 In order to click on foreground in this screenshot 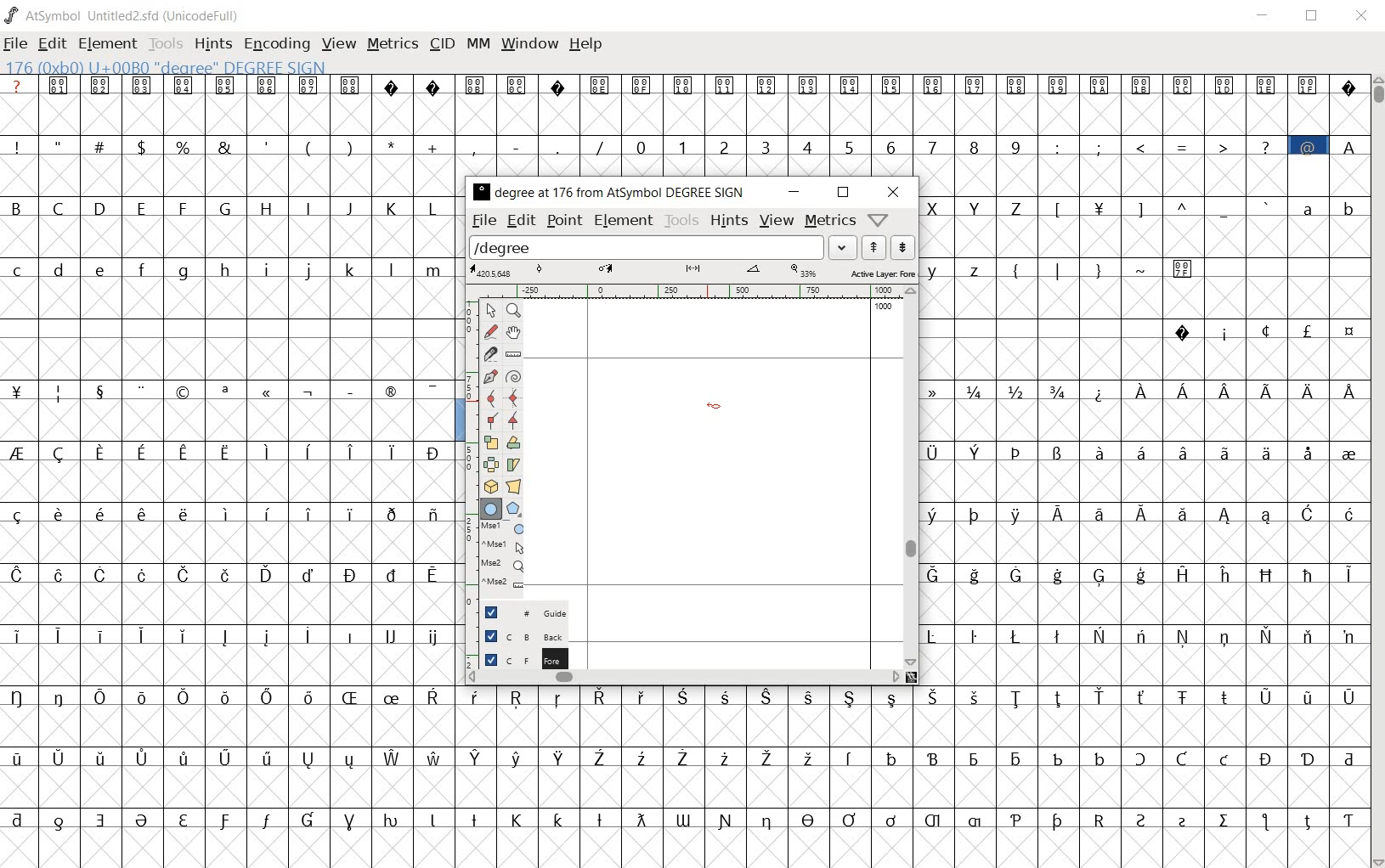, I will do `click(516, 661)`.